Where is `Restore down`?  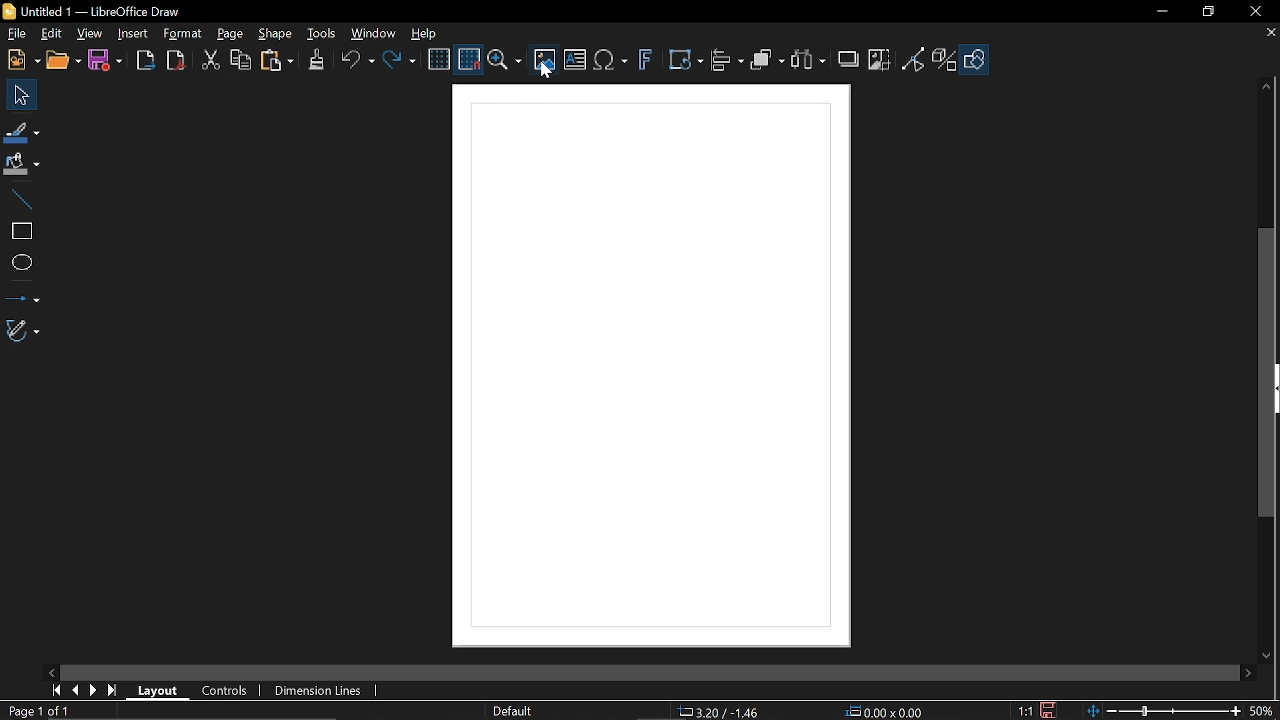
Restore down is located at coordinates (1205, 11).